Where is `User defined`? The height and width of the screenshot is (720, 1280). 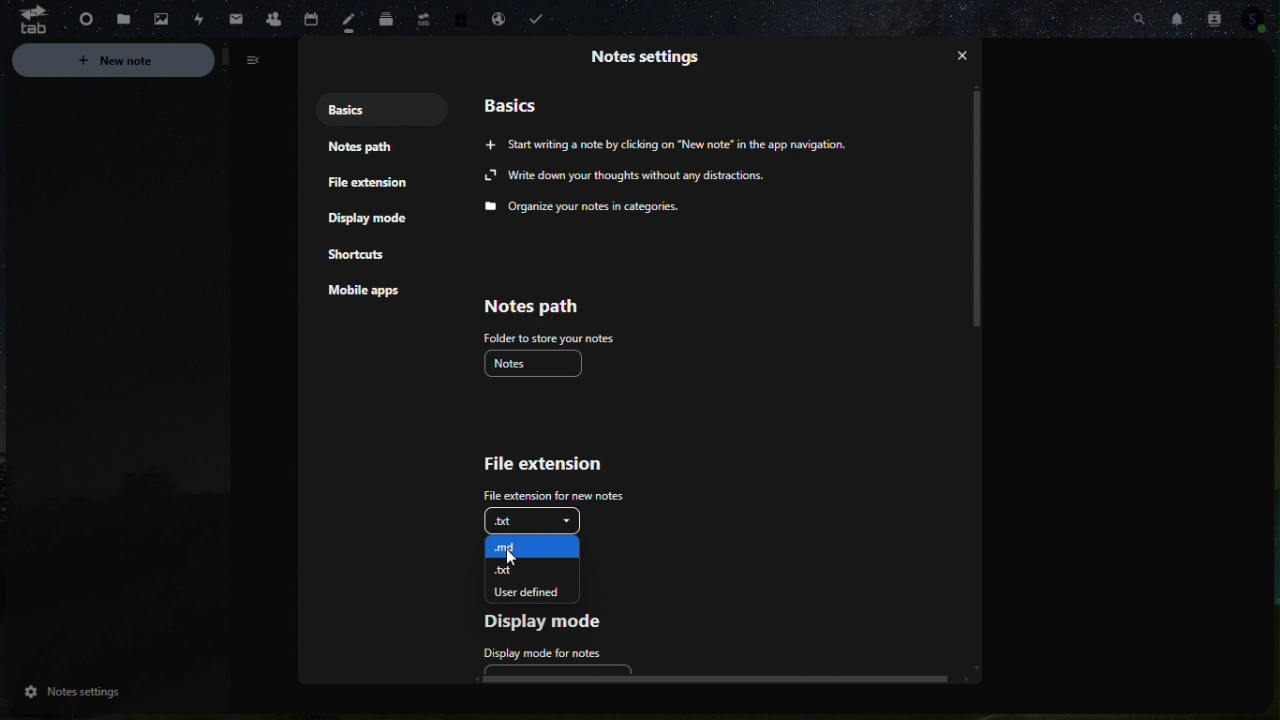 User defined is located at coordinates (542, 591).